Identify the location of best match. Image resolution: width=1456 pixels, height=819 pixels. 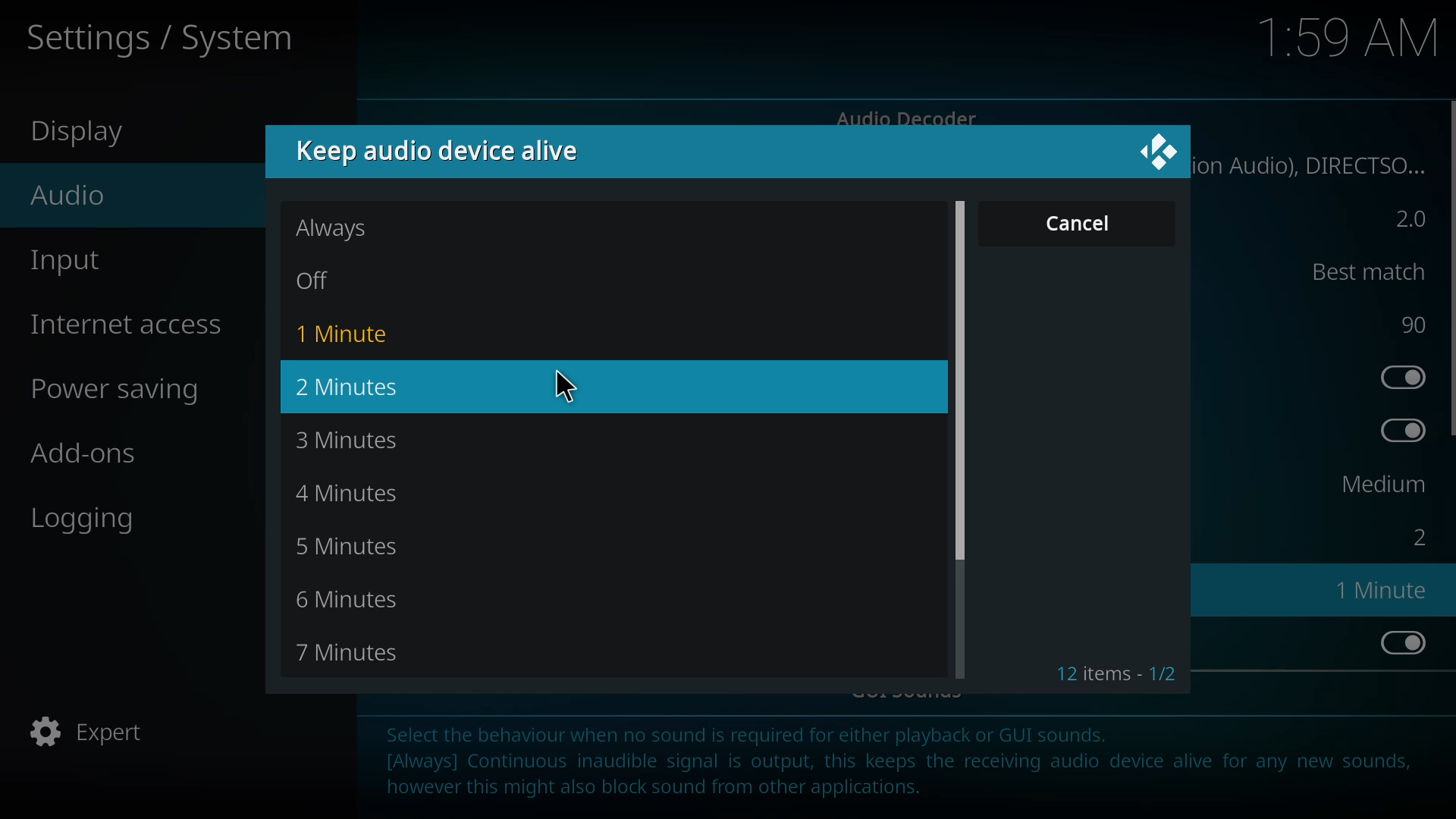
(1359, 270).